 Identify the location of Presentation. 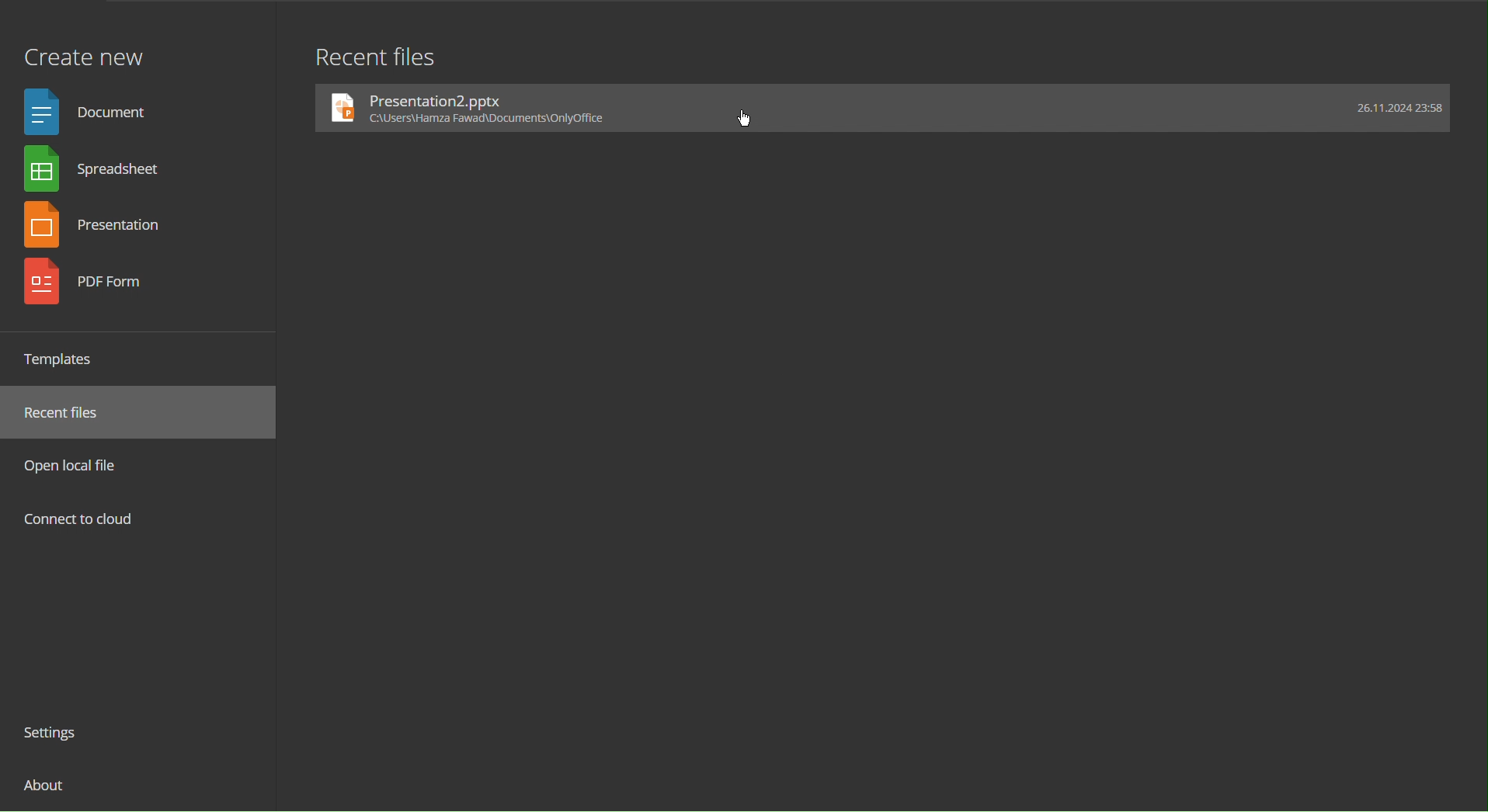
(101, 225).